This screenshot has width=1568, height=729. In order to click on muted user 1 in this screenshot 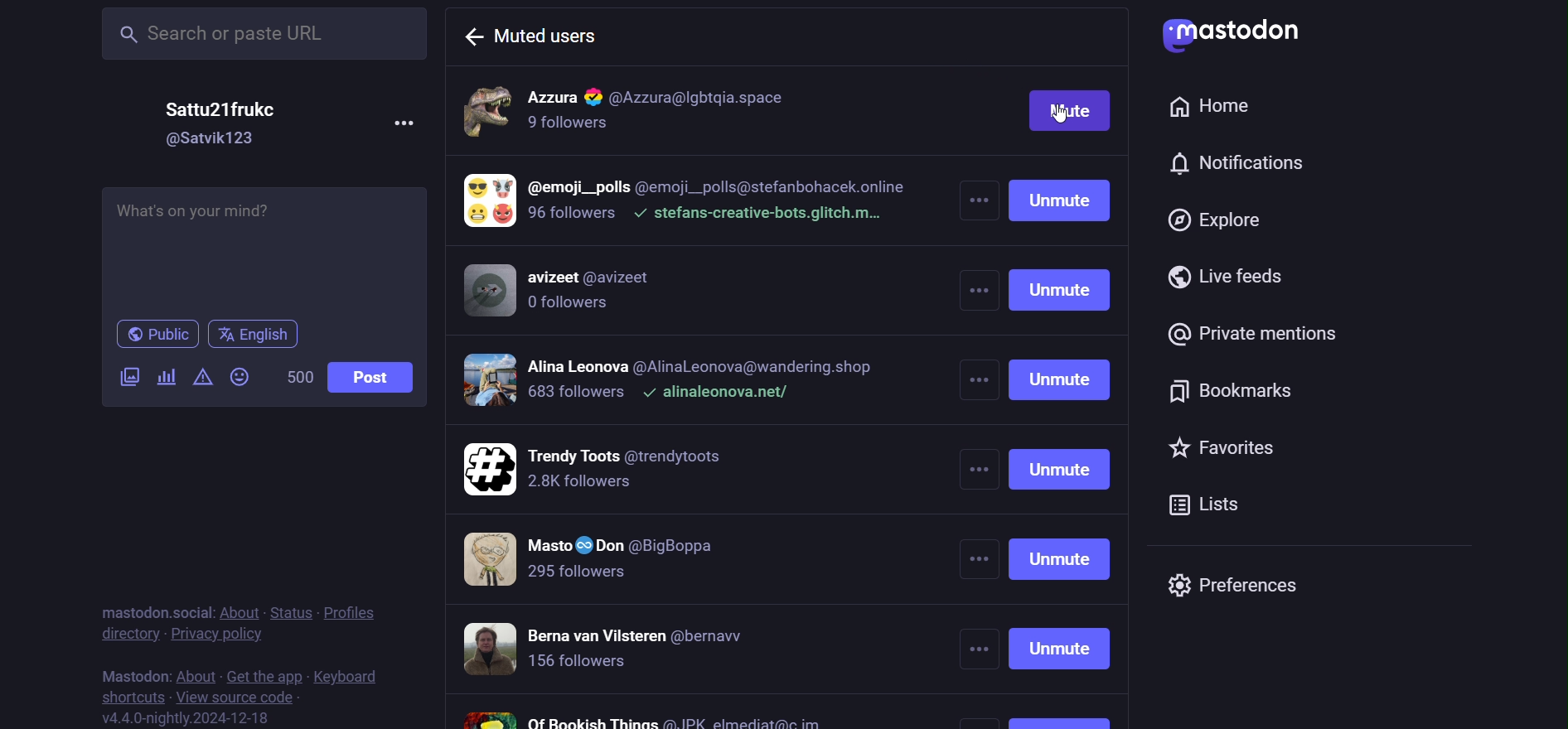, I will do `click(683, 113)`.